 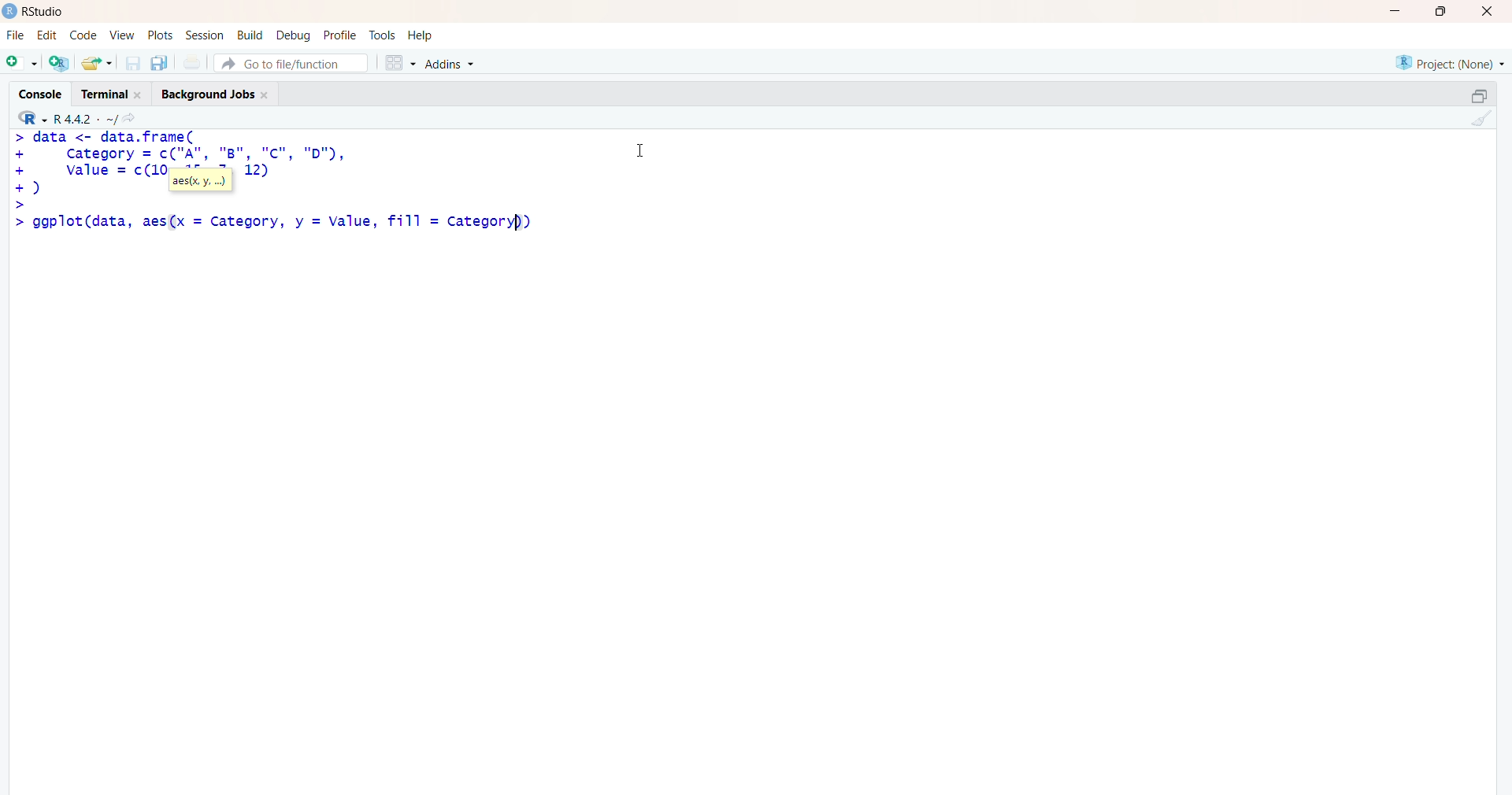 I want to click on File, so click(x=16, y=35).